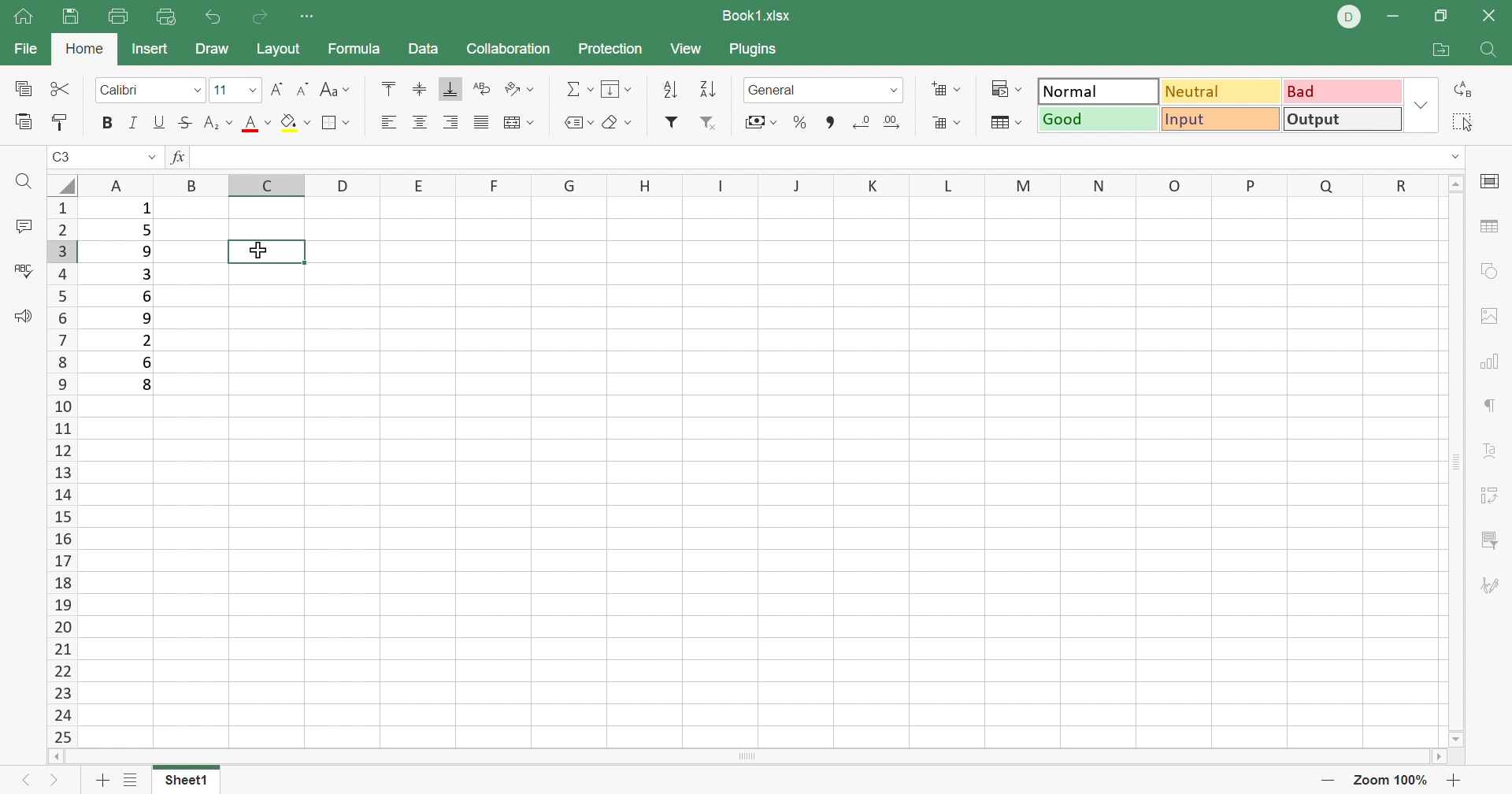  I want to click on chart settings, so click(1492, 362).